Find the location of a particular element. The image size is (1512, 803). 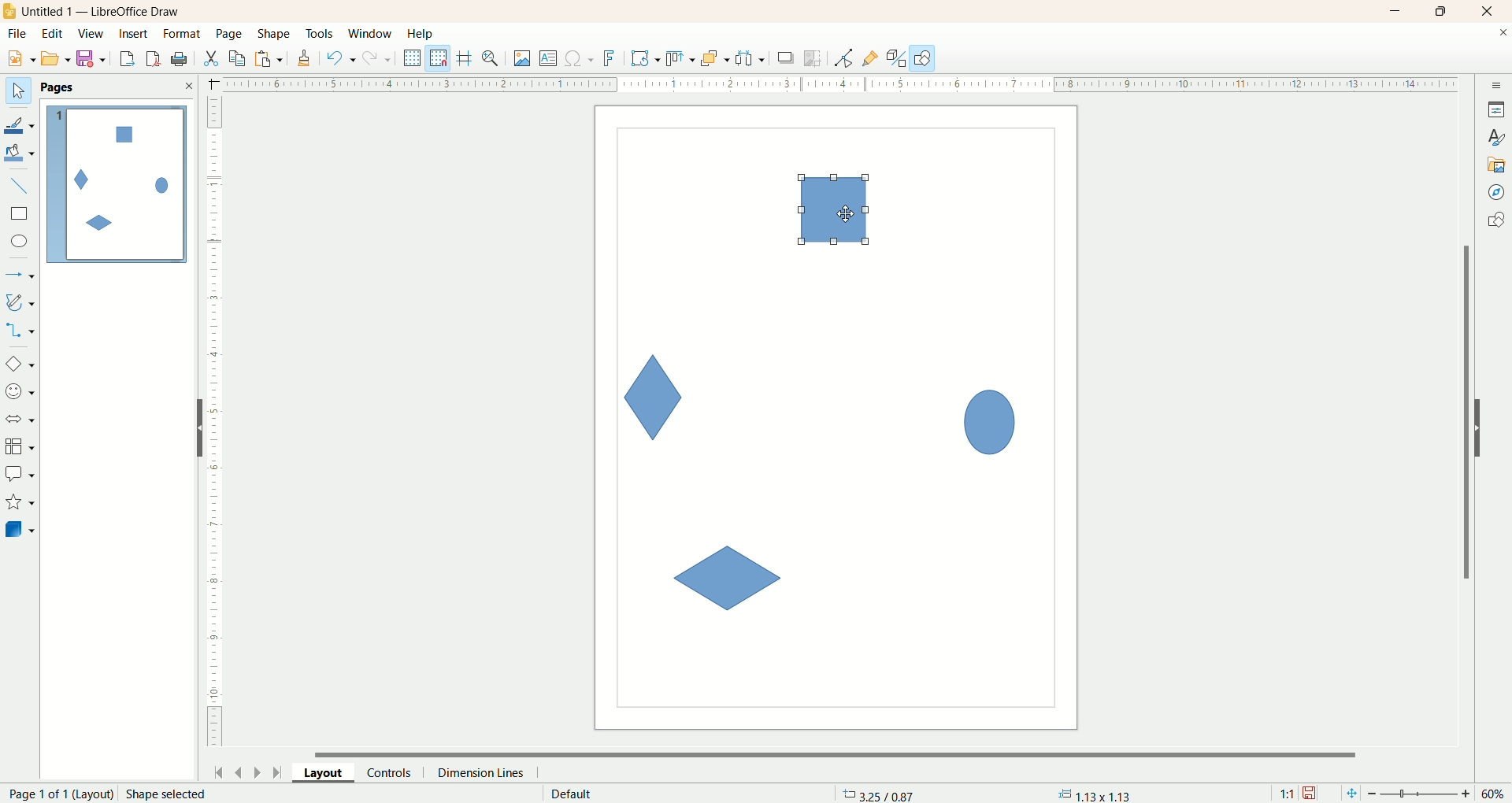

anchor point is located at coordinates (1092, 794).